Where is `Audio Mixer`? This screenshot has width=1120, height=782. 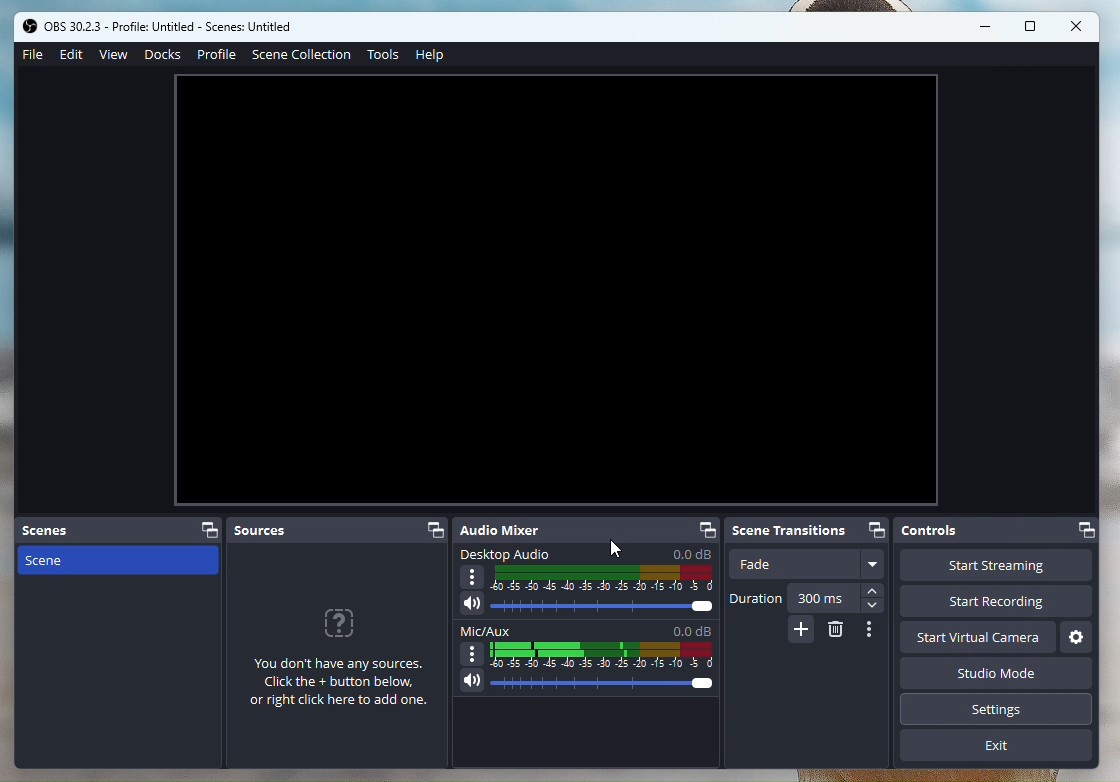
Audio Mixer is located at coordinates (588, 531).